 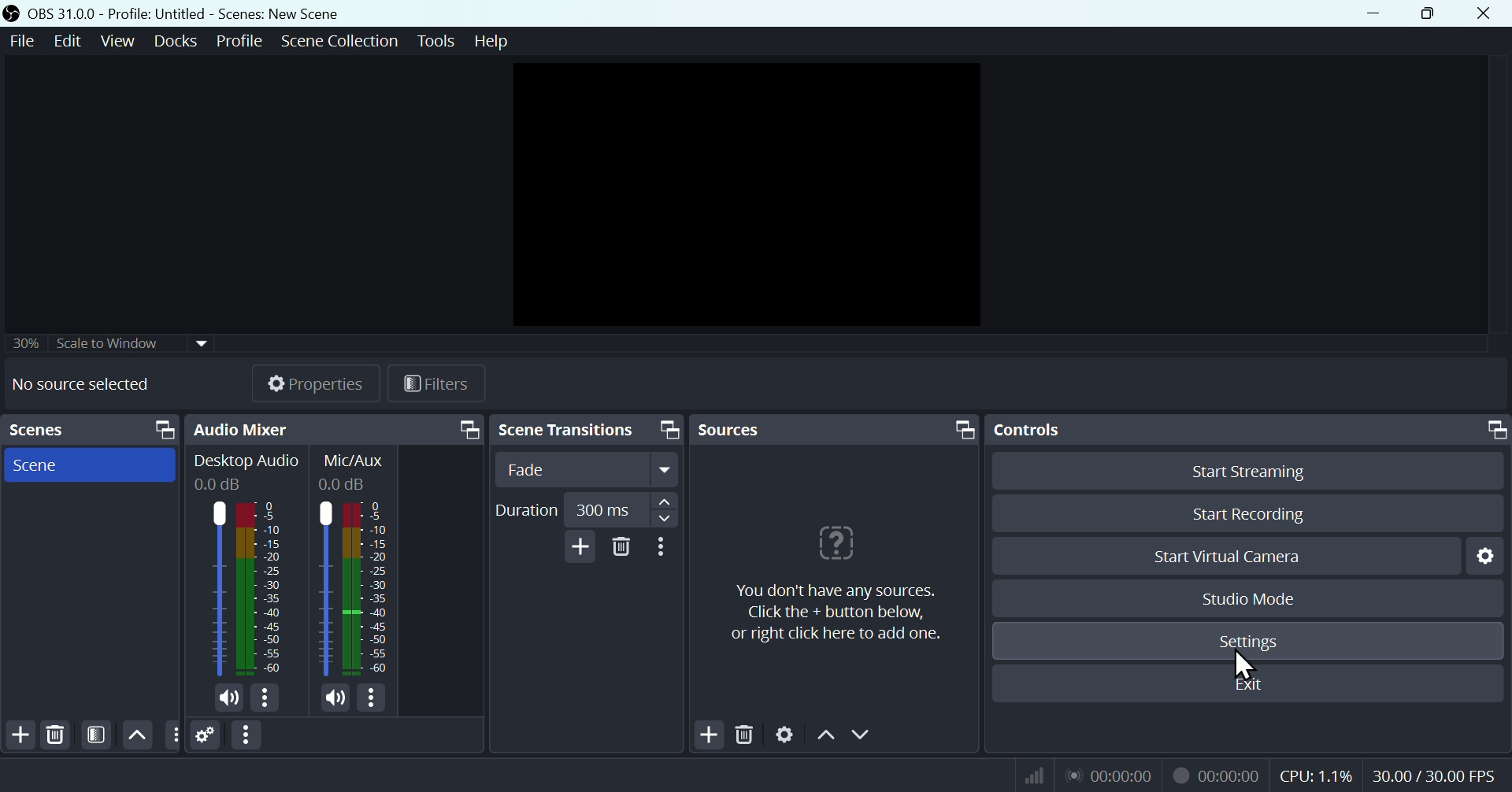 I want to click on cursor on setting, so click(x=1244, y=664).